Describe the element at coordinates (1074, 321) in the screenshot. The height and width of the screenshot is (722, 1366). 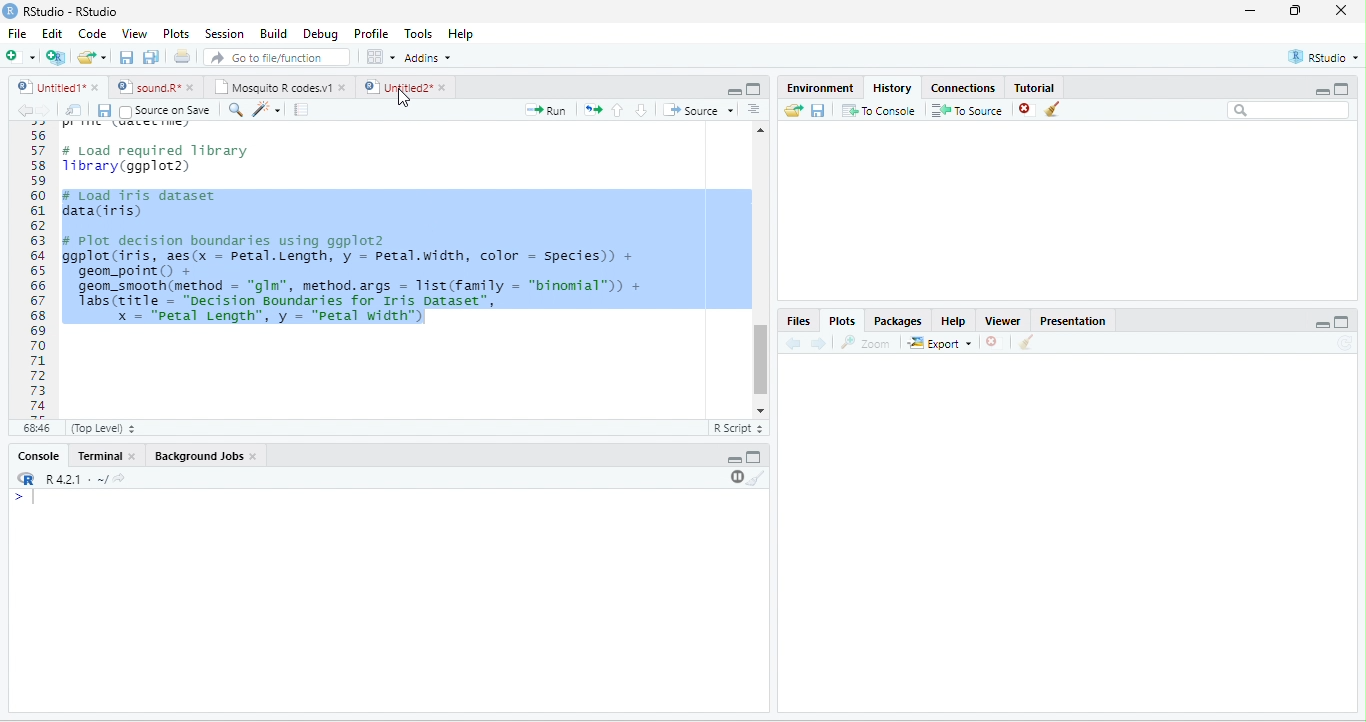
I see `Presentation` at that location.